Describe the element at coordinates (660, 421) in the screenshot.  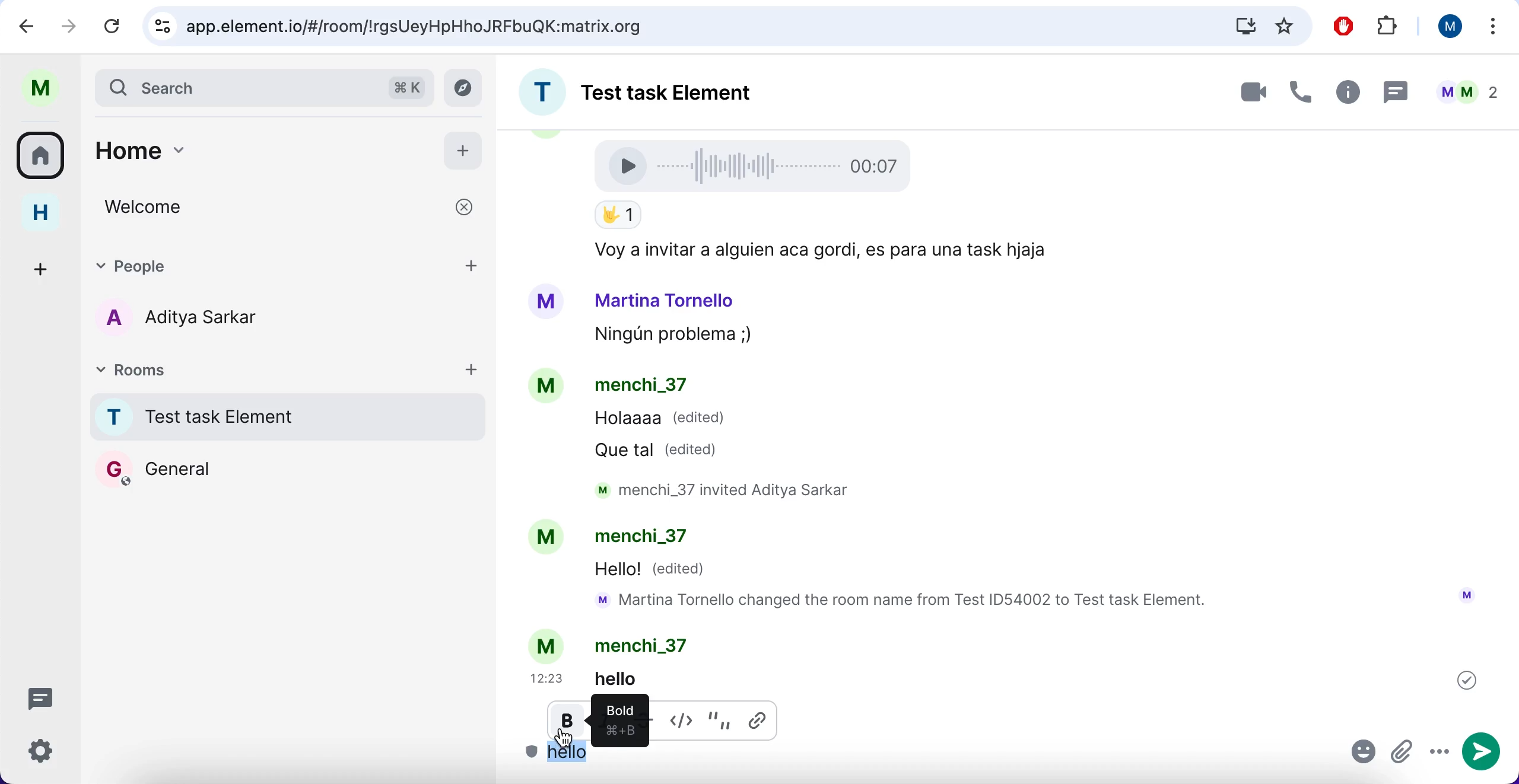
I see `Holaaaa (edited)` at that location.